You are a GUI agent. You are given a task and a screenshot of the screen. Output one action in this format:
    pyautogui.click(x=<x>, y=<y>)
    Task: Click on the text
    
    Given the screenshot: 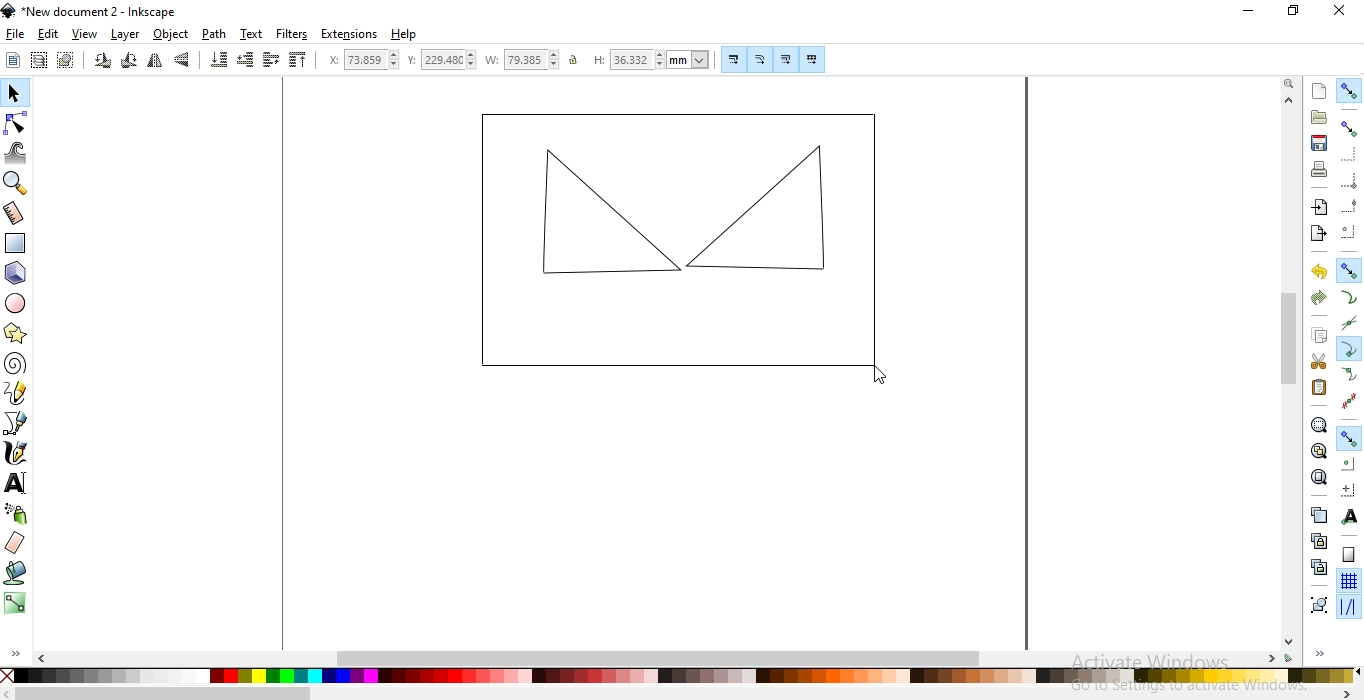 What is the action you would take?
    pyautogui.click(x=253, y=33)
    